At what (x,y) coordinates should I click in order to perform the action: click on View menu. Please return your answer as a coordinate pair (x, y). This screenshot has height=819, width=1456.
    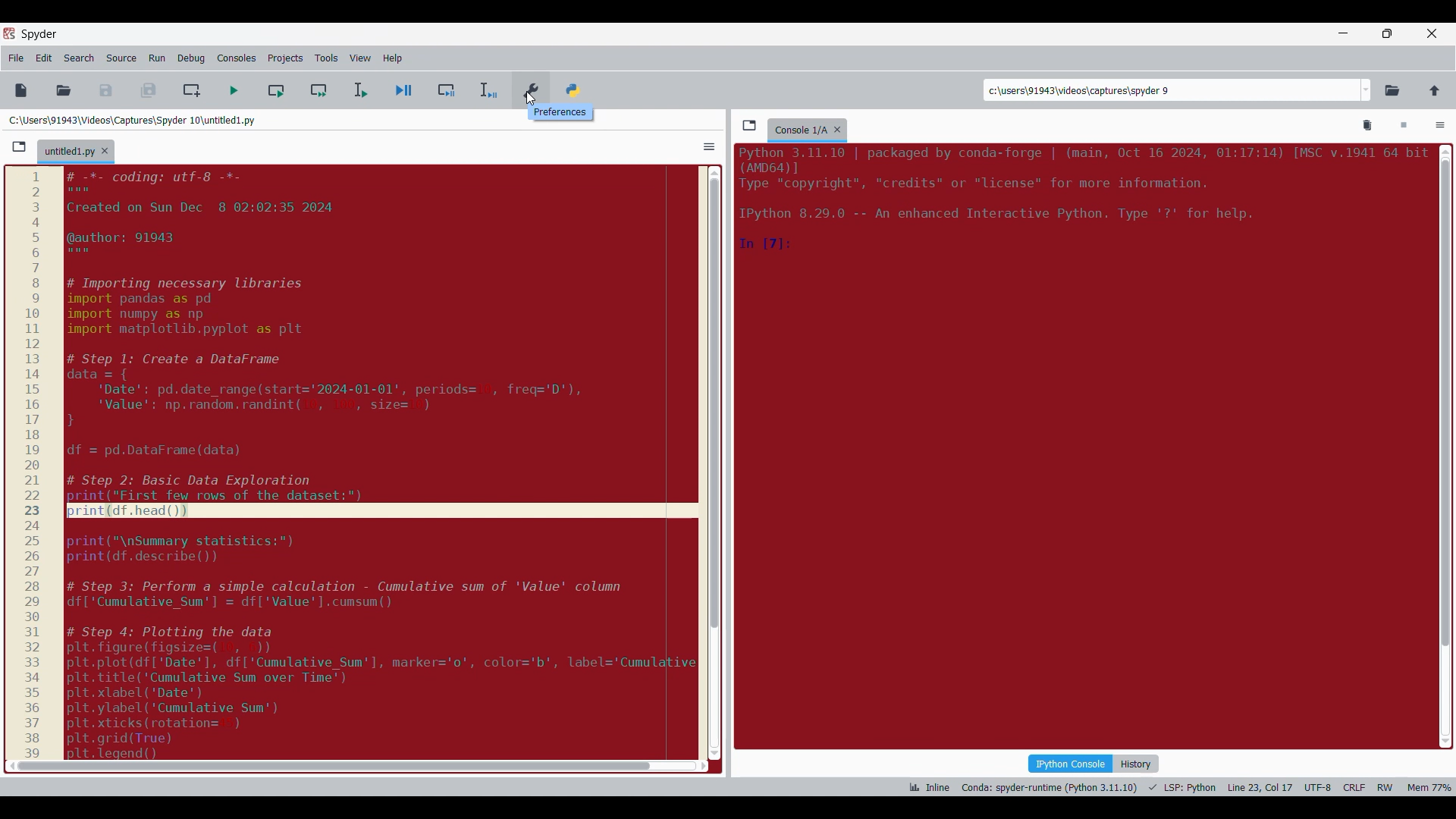
    Looking at the image, I should click on (360, 58).